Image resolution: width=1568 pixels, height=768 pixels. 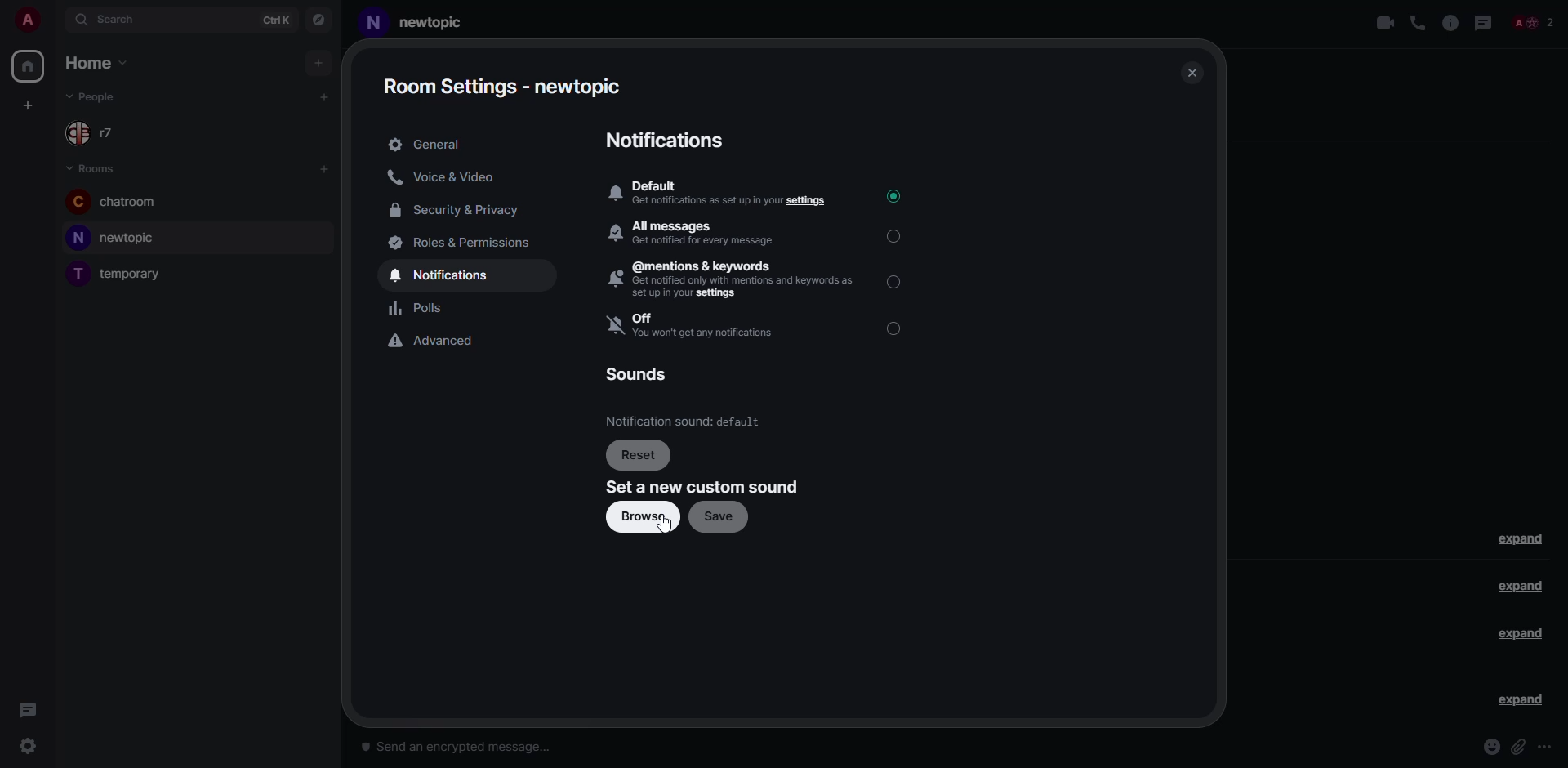 What do you see at coordinates (417, 25) in the screenshot?
I see `room` at bounding box center [417, 25].